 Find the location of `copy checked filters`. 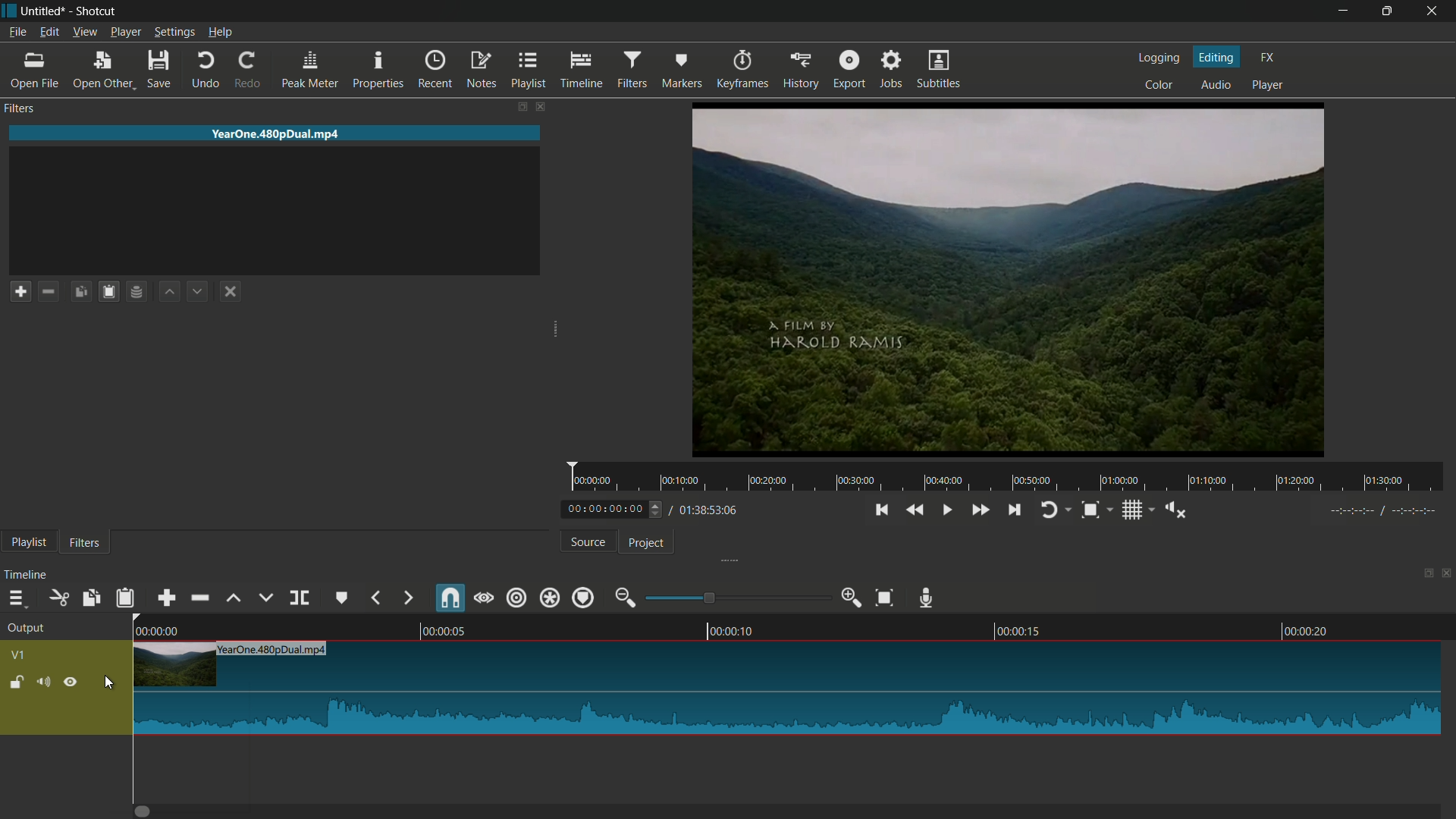

copy checked filters is located at coordinates (83, 292).